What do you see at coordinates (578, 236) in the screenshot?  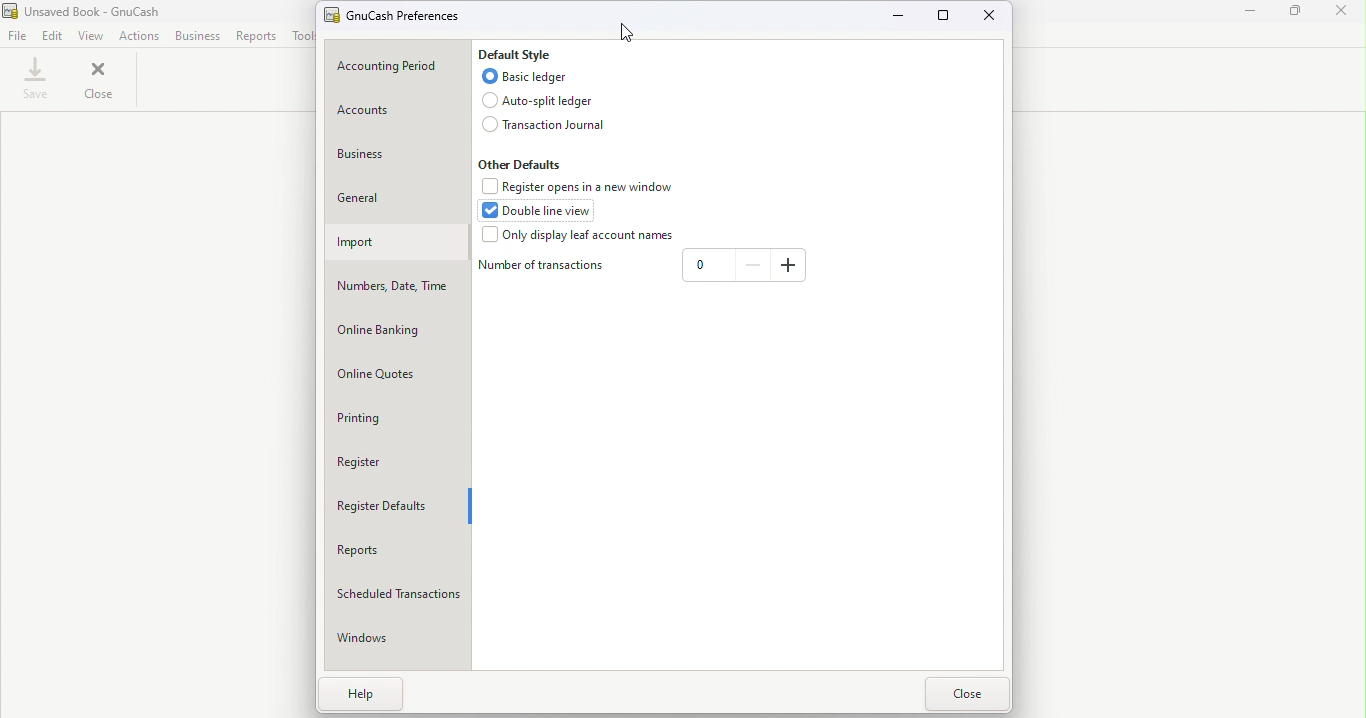 I see `Only display leaf account name` at bounding box center [578, 236].